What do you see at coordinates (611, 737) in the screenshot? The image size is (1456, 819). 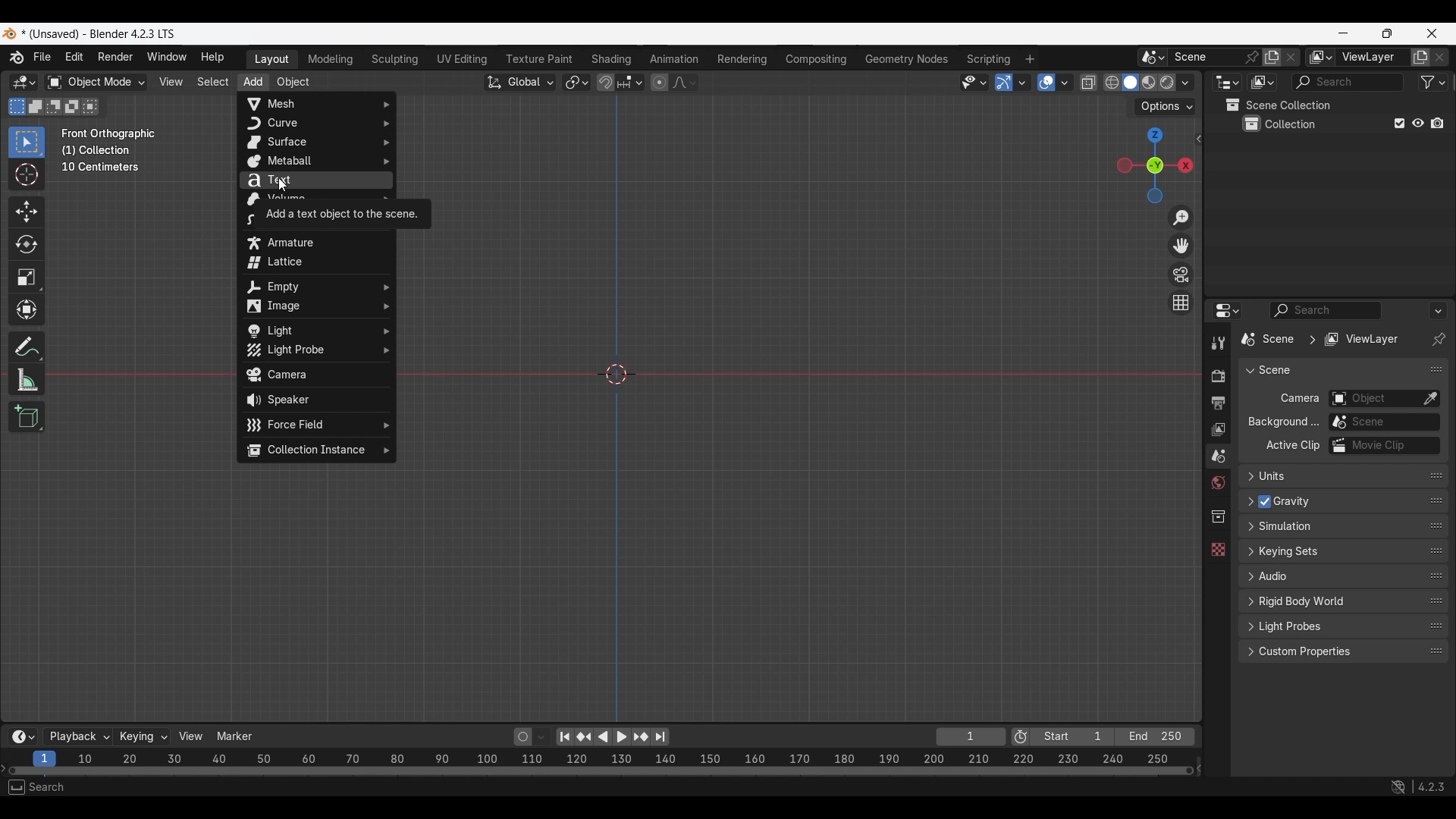 I see `Play animation` at bounding box center [611, 737].